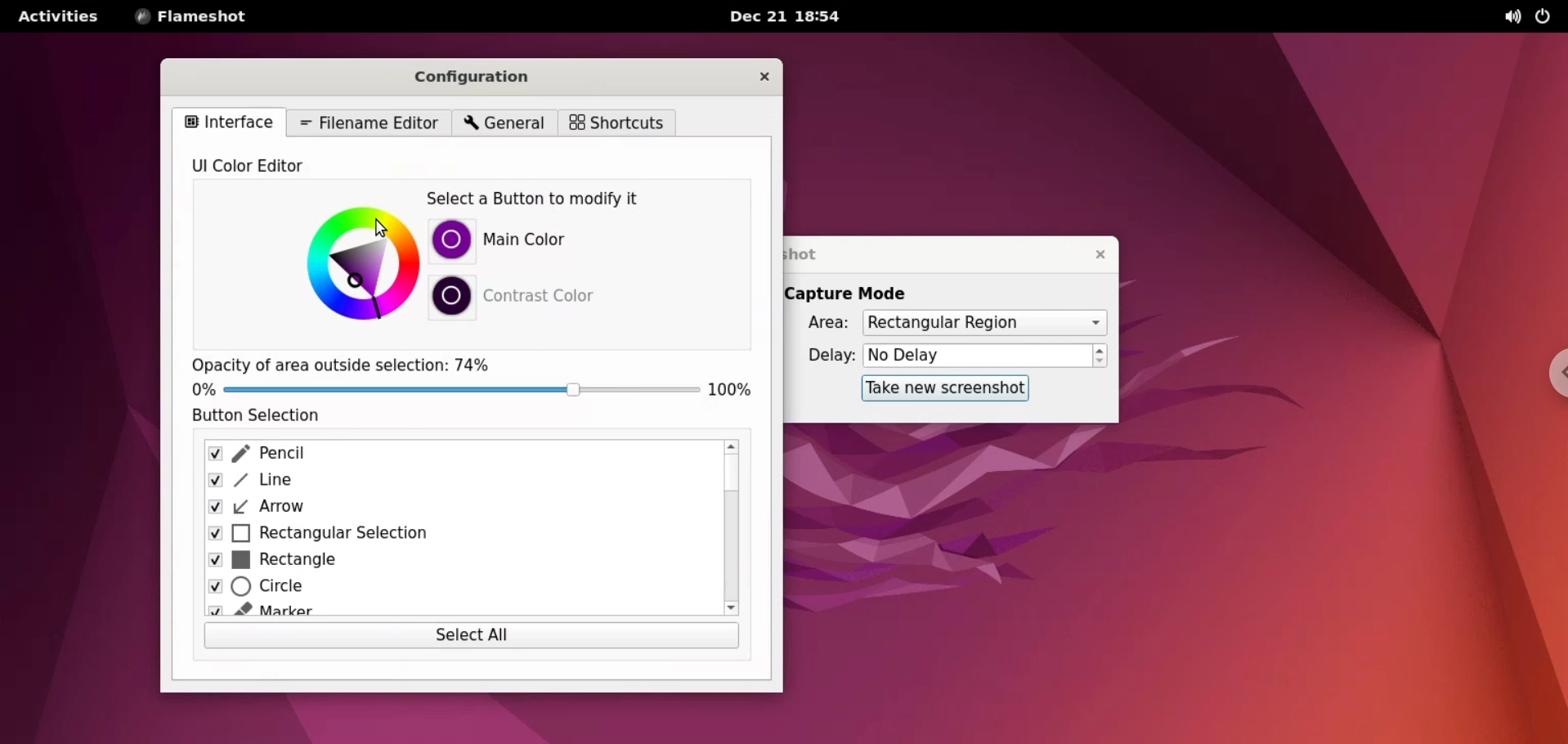  I want to click on flameshot options, so click(191, 17).